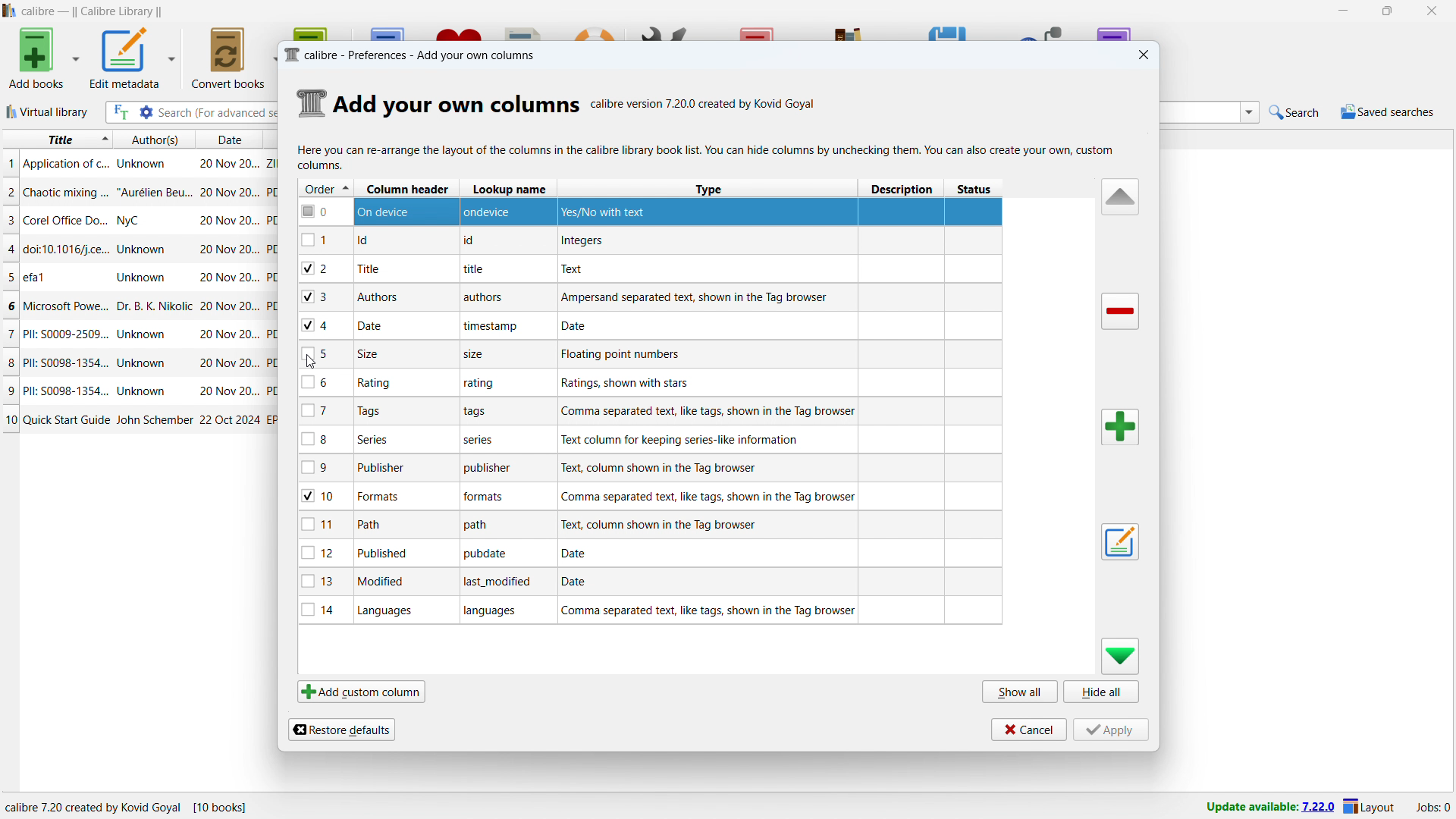  What do you see at coordinates (1386, 111) in the screenshot?
I see `saved searches` at bounding box center [1386, 111].